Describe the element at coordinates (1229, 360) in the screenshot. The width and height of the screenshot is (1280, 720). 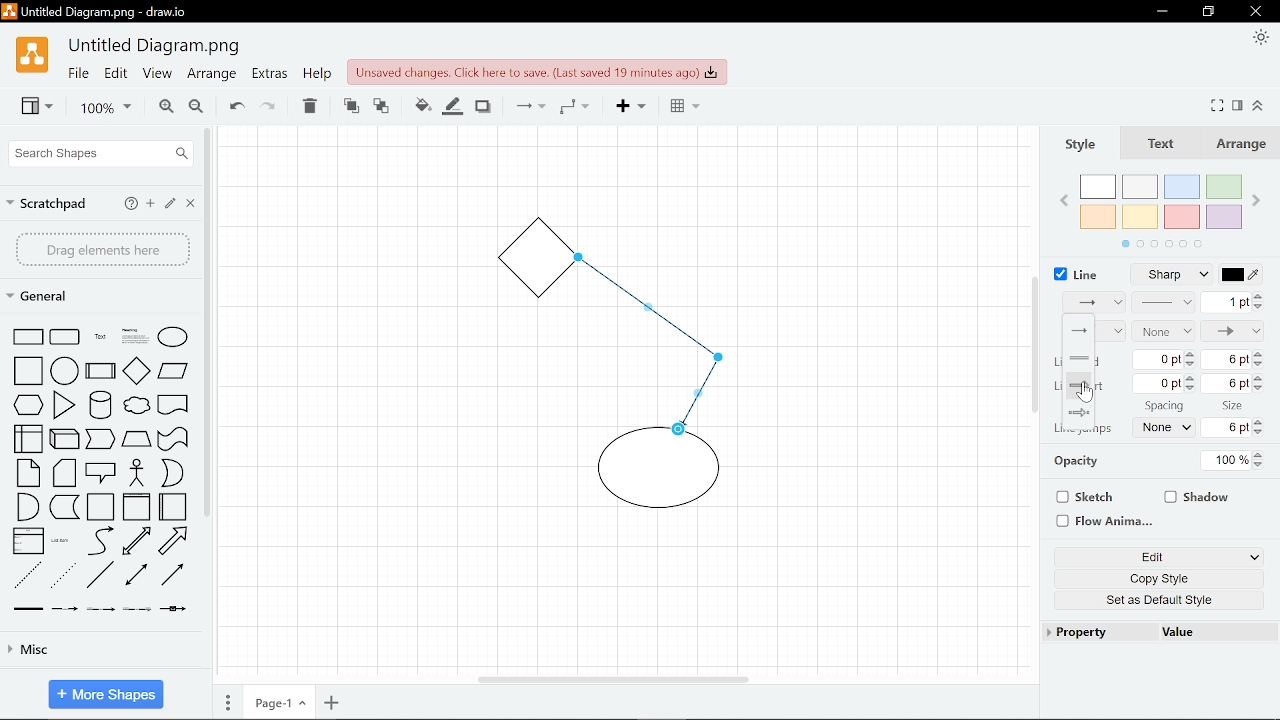
I see `Line start spacing` at that location.